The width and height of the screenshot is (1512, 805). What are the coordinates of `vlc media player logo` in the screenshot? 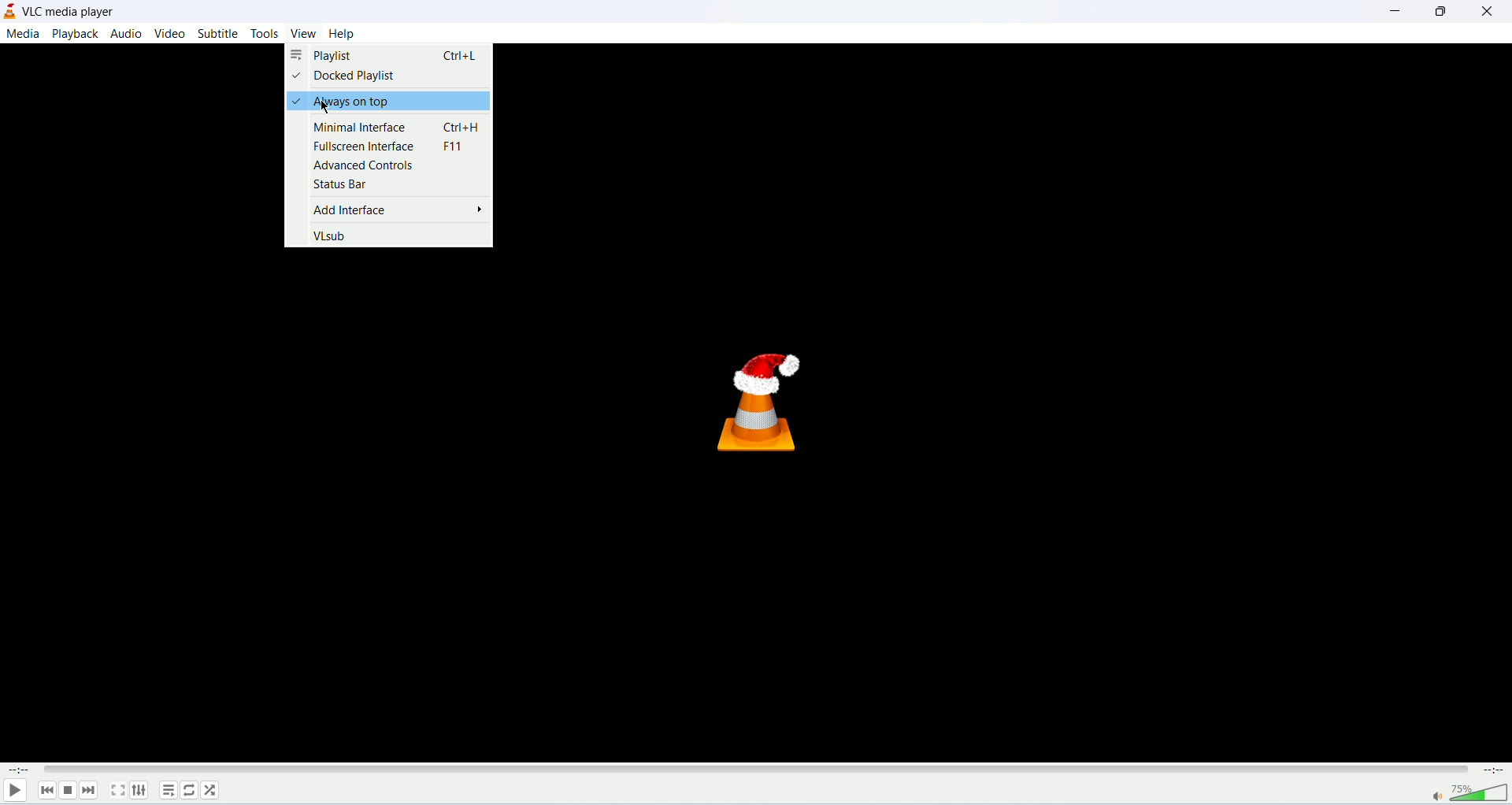 It's located at (9, 12).